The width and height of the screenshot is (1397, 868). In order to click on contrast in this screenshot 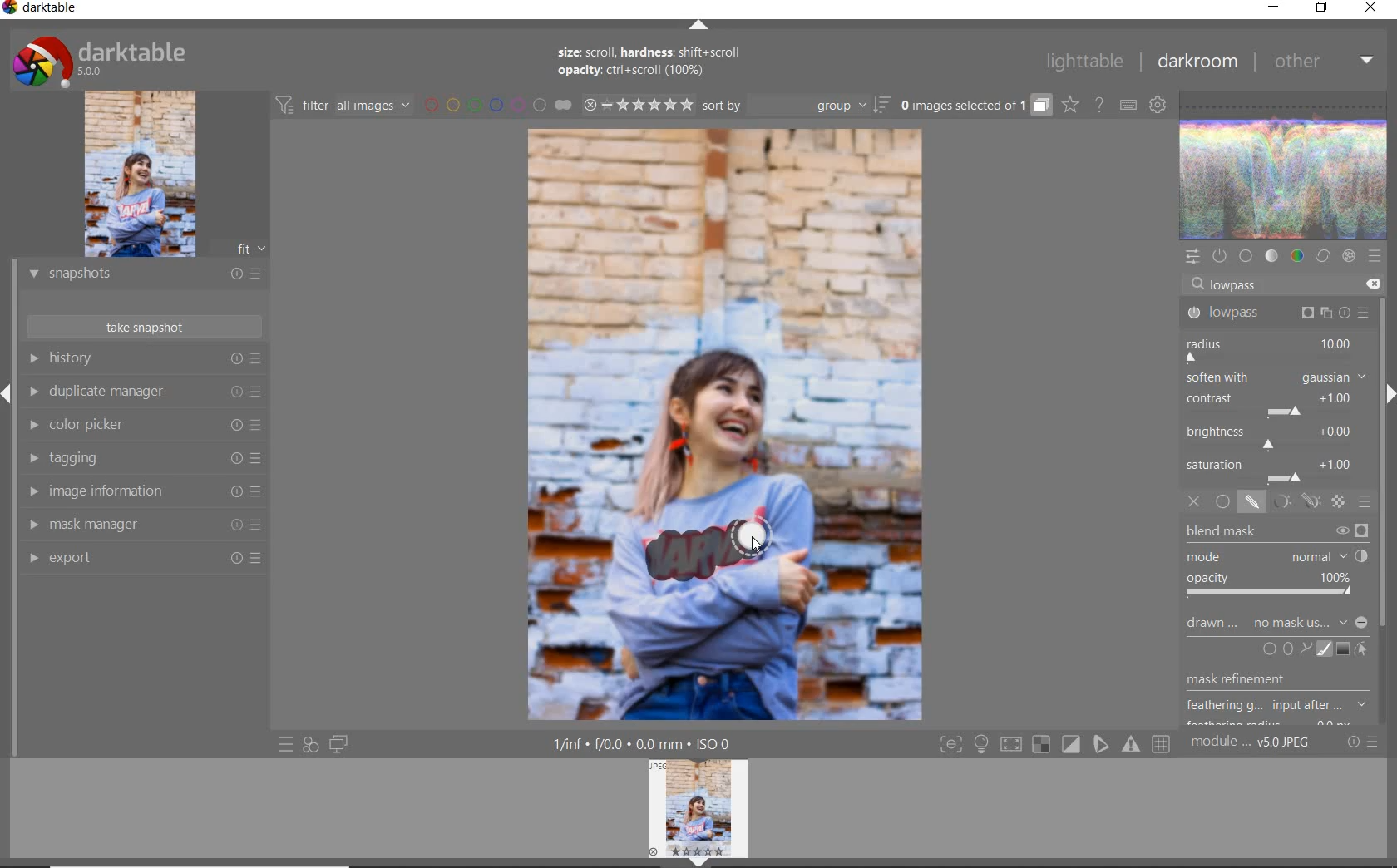, I will do `click(1272, 402)`.